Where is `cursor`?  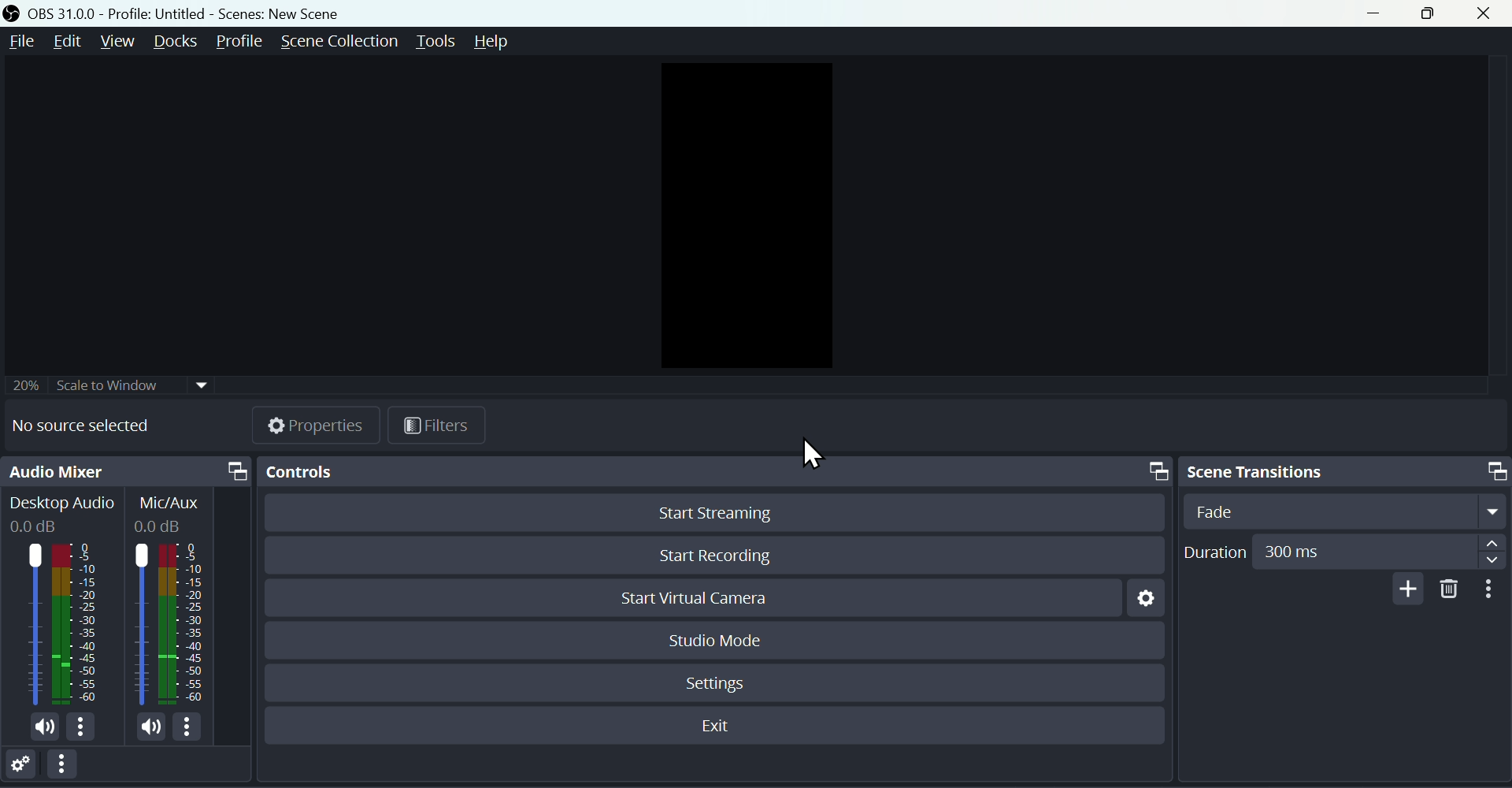 cursor is located at coordinates (813, 456).